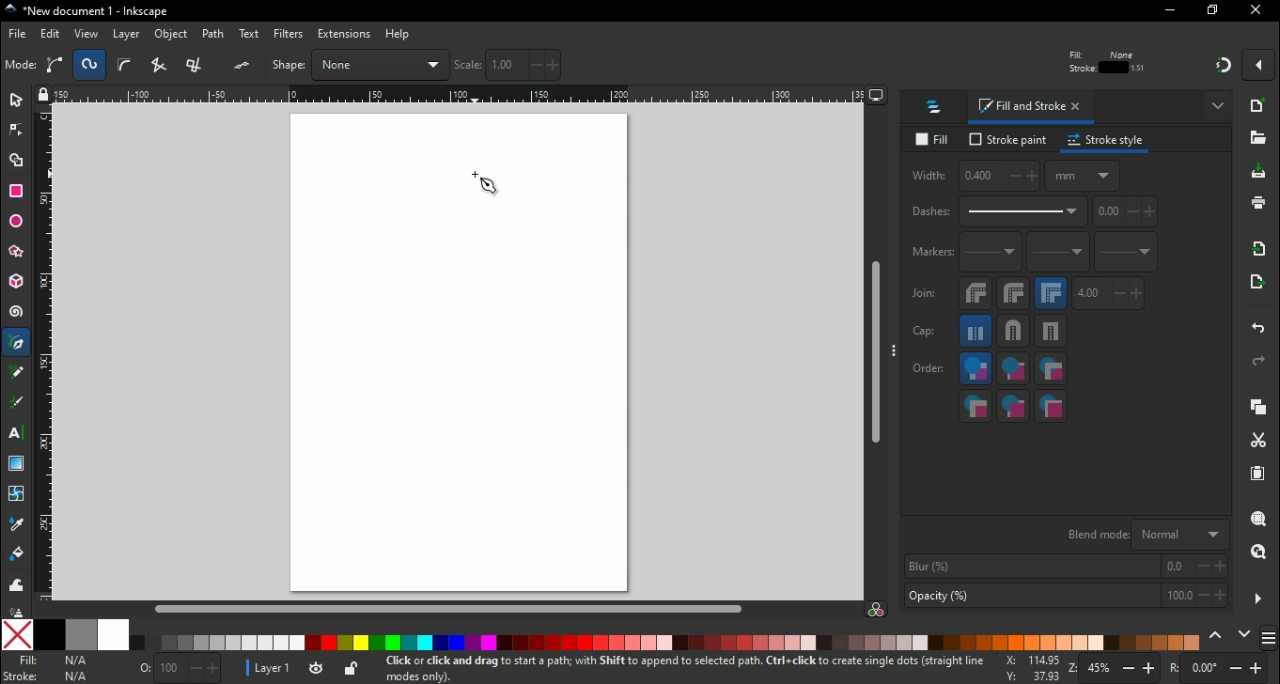 The width and height of the screenshot is (1280, 684). I want to click on create spiro path, so click(90, 64).